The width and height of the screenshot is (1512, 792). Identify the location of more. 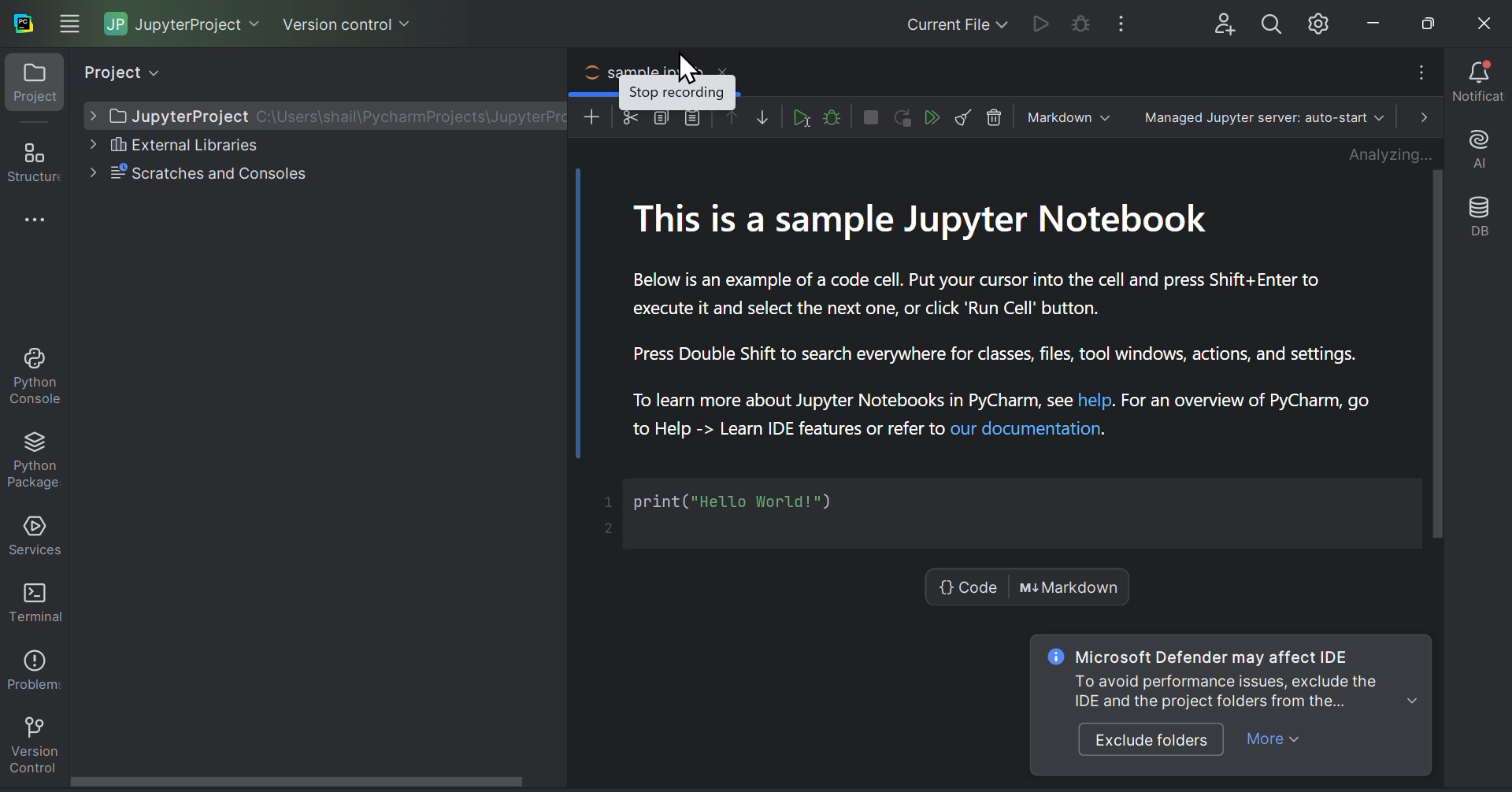
(1270, 742).